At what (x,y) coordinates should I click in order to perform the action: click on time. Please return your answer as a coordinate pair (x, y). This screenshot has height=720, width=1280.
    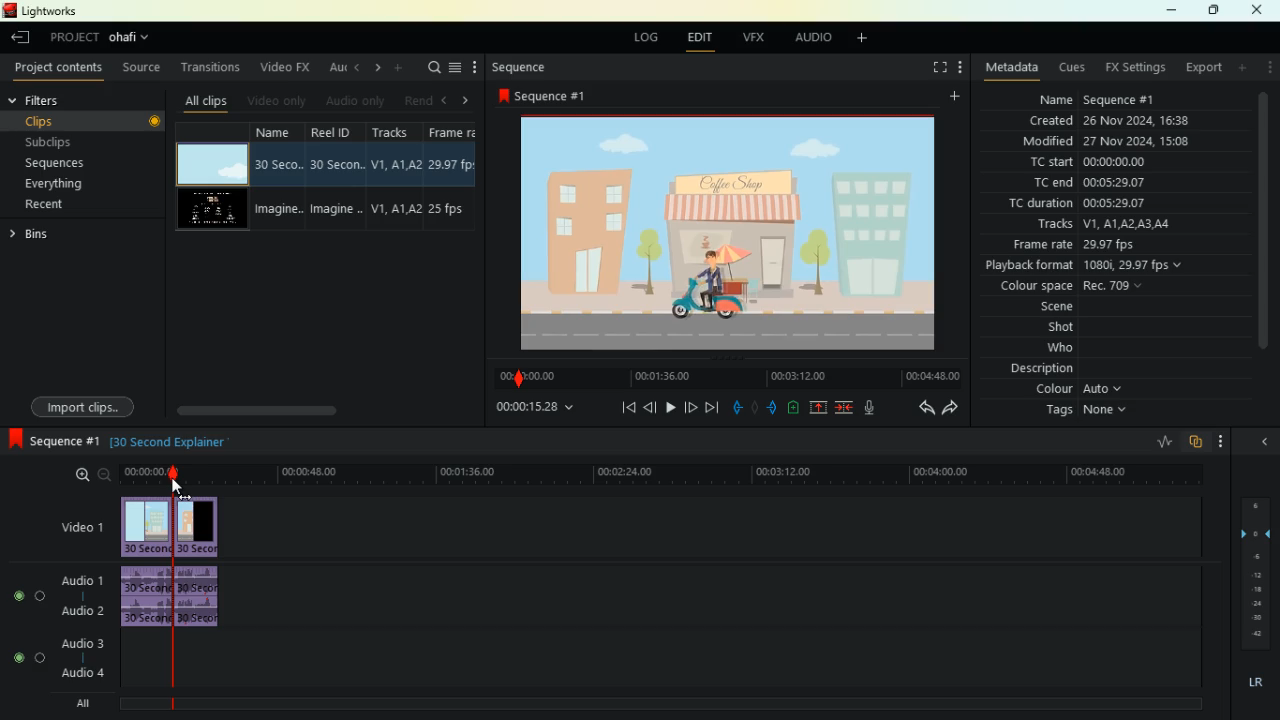
    Looking at the image, I should click on (542, 406).